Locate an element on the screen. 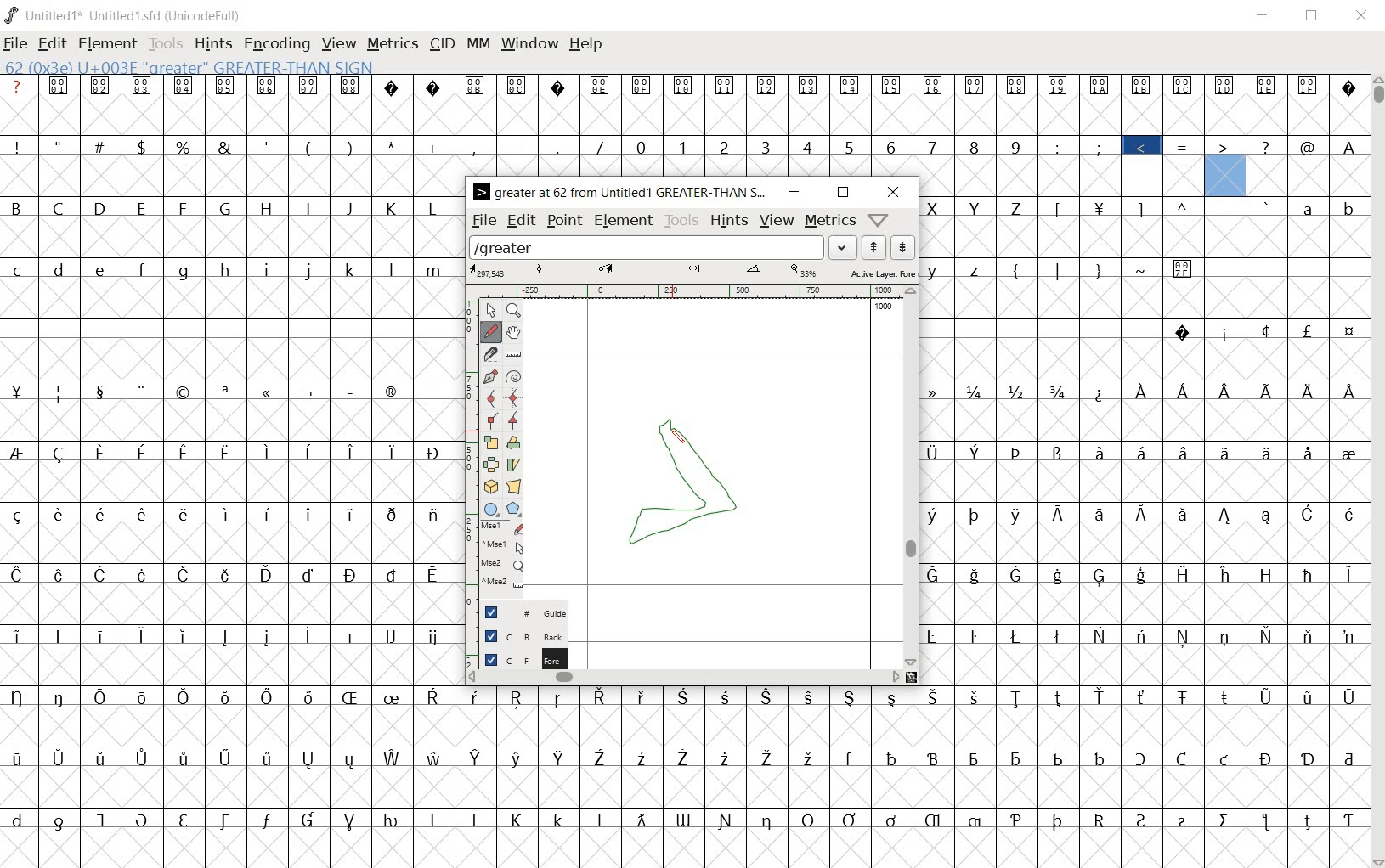  metrics is located at coordinates (830, 221).